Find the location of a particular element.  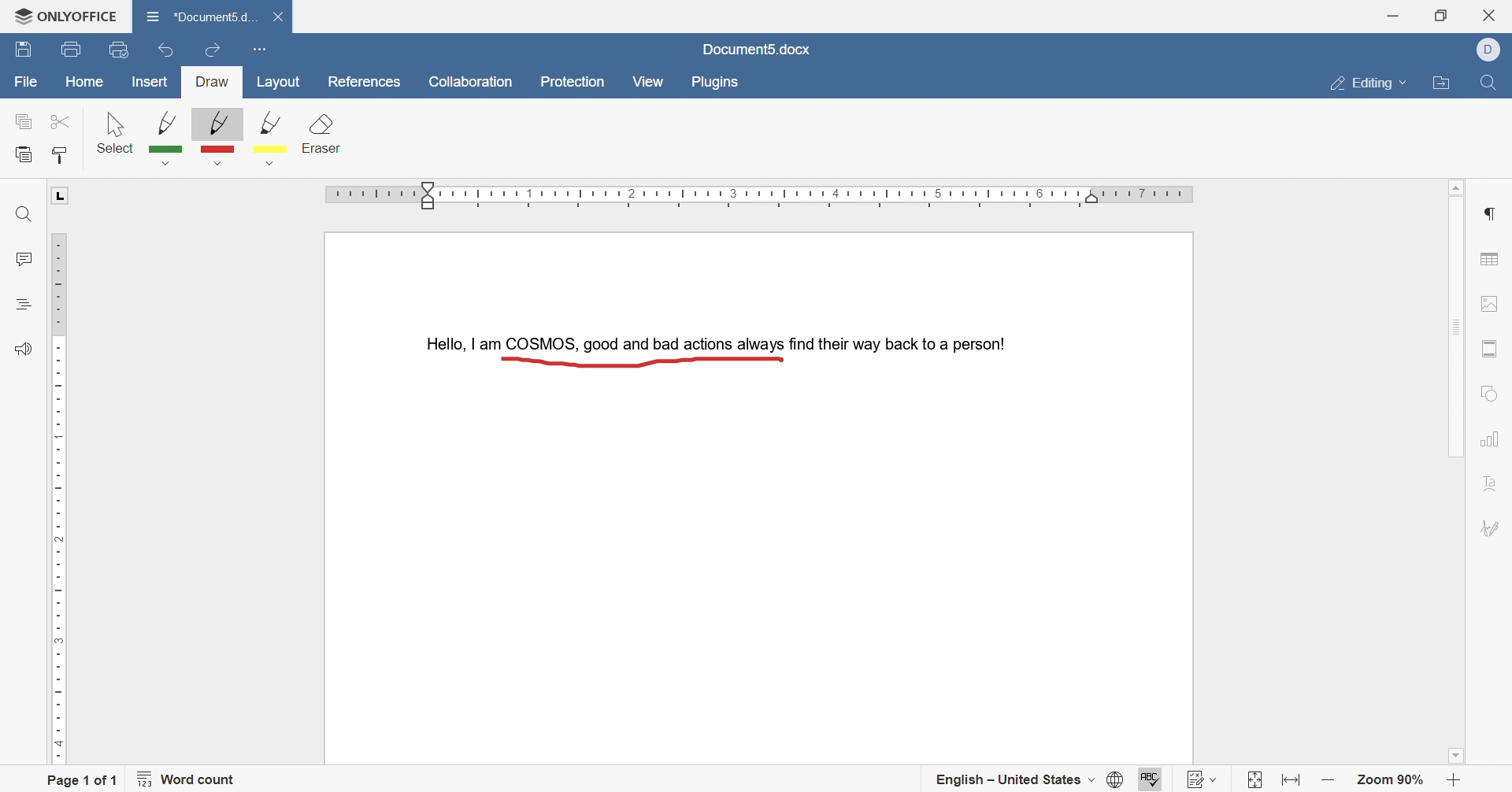

comments is located at coordinates (22, 260).